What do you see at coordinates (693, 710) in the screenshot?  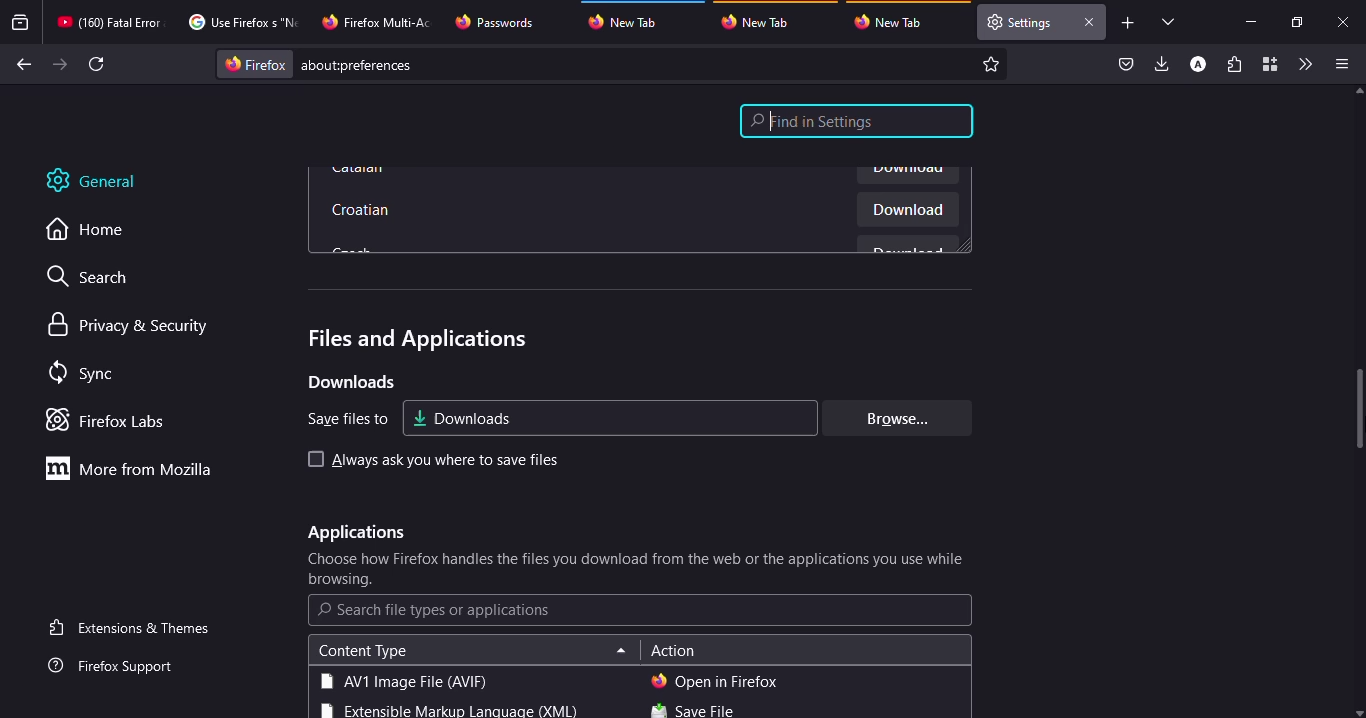 I see `save` at bounding box center [693, 710].